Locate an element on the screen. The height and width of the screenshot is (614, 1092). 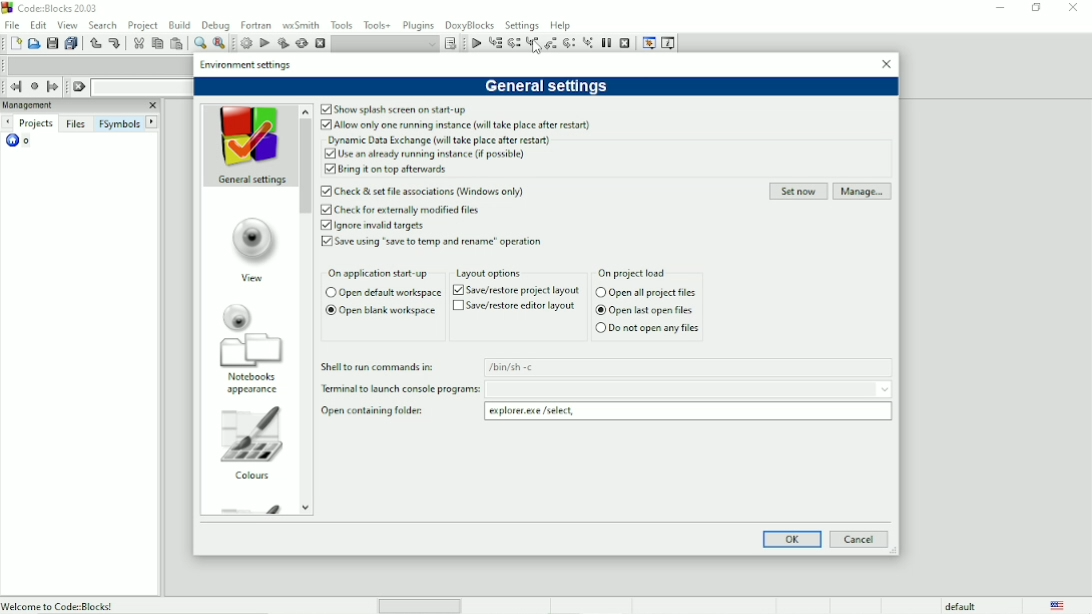
Save using "save to temp and rename" operation is located at coordinates (432, 243).